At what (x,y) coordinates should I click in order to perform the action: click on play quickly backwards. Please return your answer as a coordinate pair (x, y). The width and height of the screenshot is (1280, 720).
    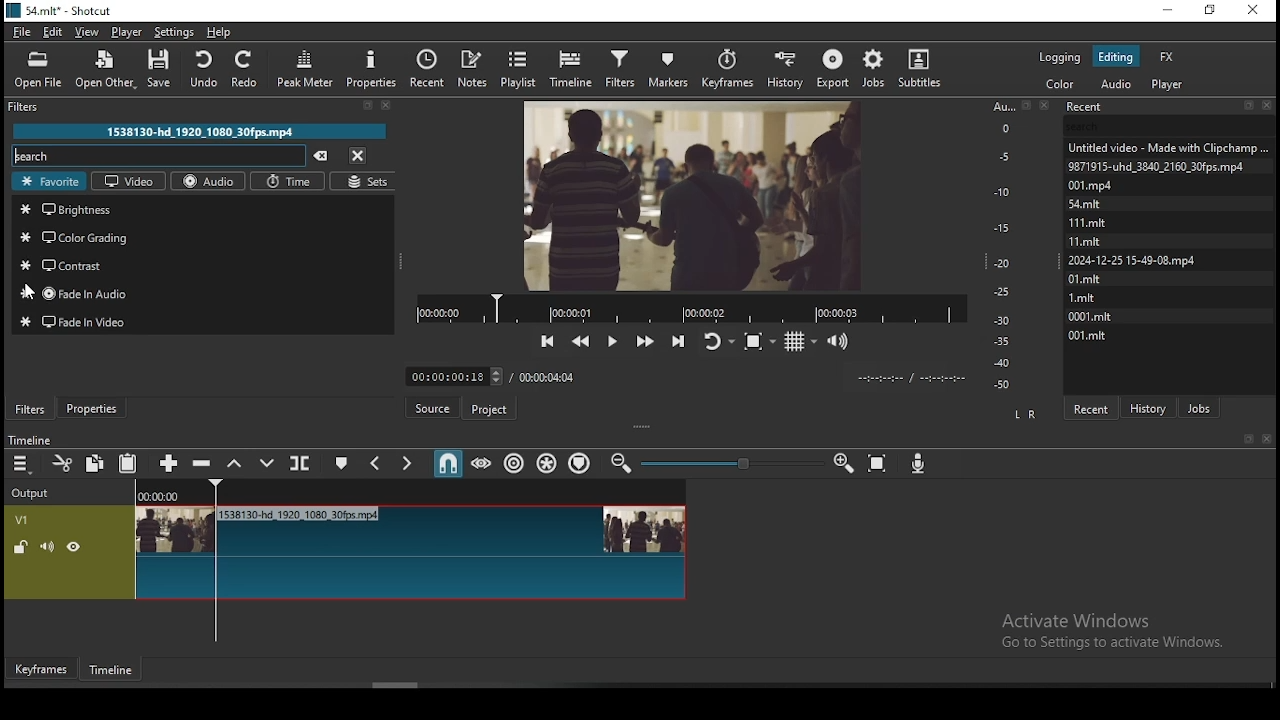
    Looking at the image, I should click on (582, 341).